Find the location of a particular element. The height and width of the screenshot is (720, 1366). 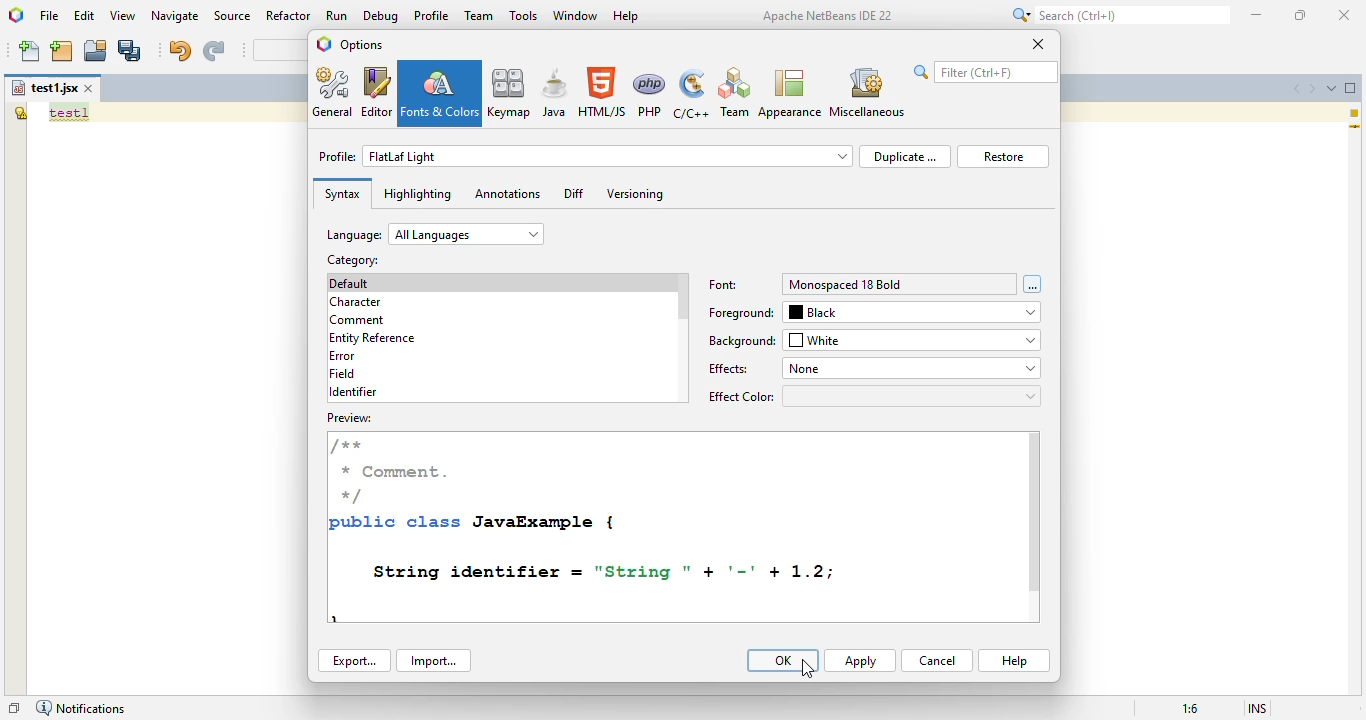

minimize is located at coordinates (1257, 14).